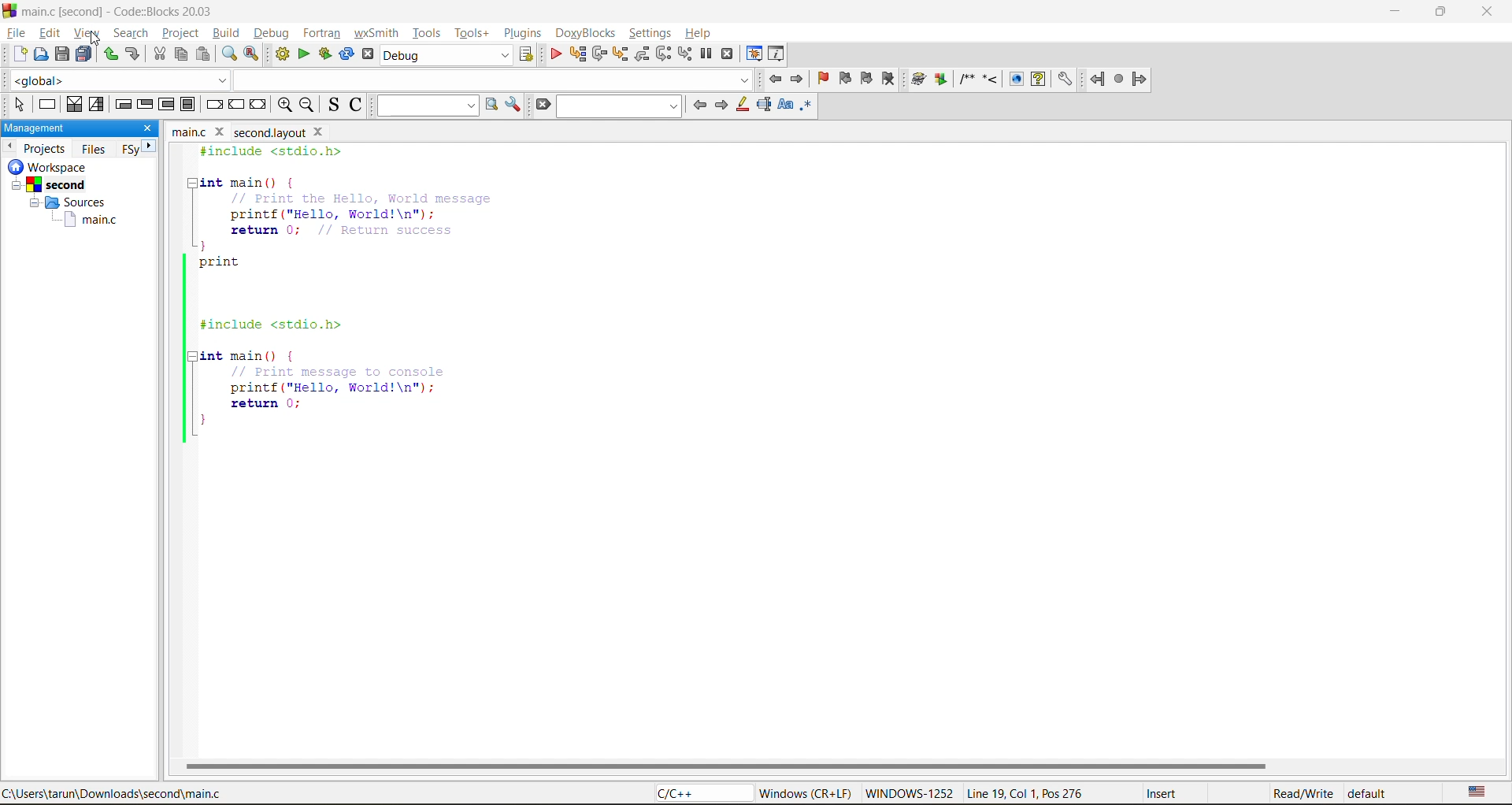 Image resolution: width=1512 pixels, height=805 pixels. I want to click on new, so click(15, 57).